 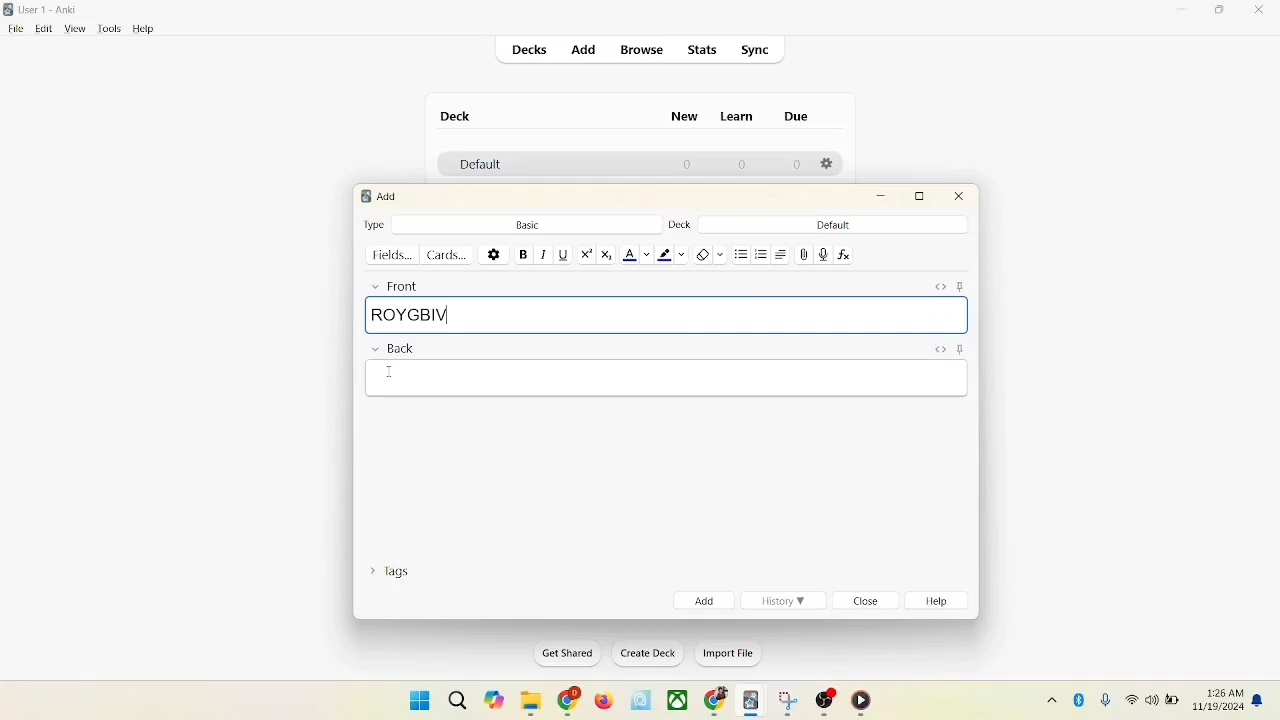 I want to click on cards, so click(x=451, y=255).